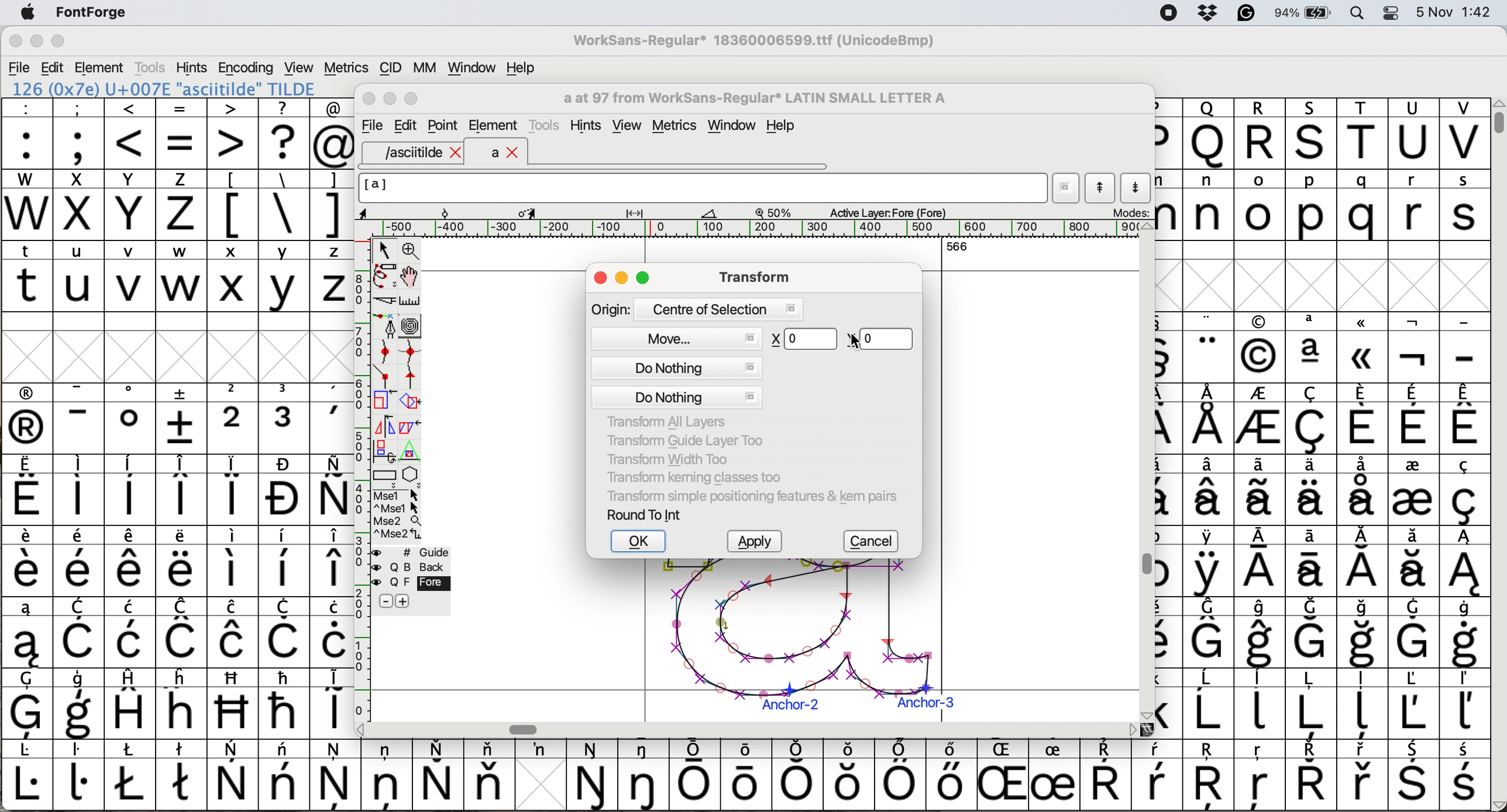 The height and width of the screenshot is (812, 1507). I want to click on add a curve point vertically or horizontally, so click(414, 352).